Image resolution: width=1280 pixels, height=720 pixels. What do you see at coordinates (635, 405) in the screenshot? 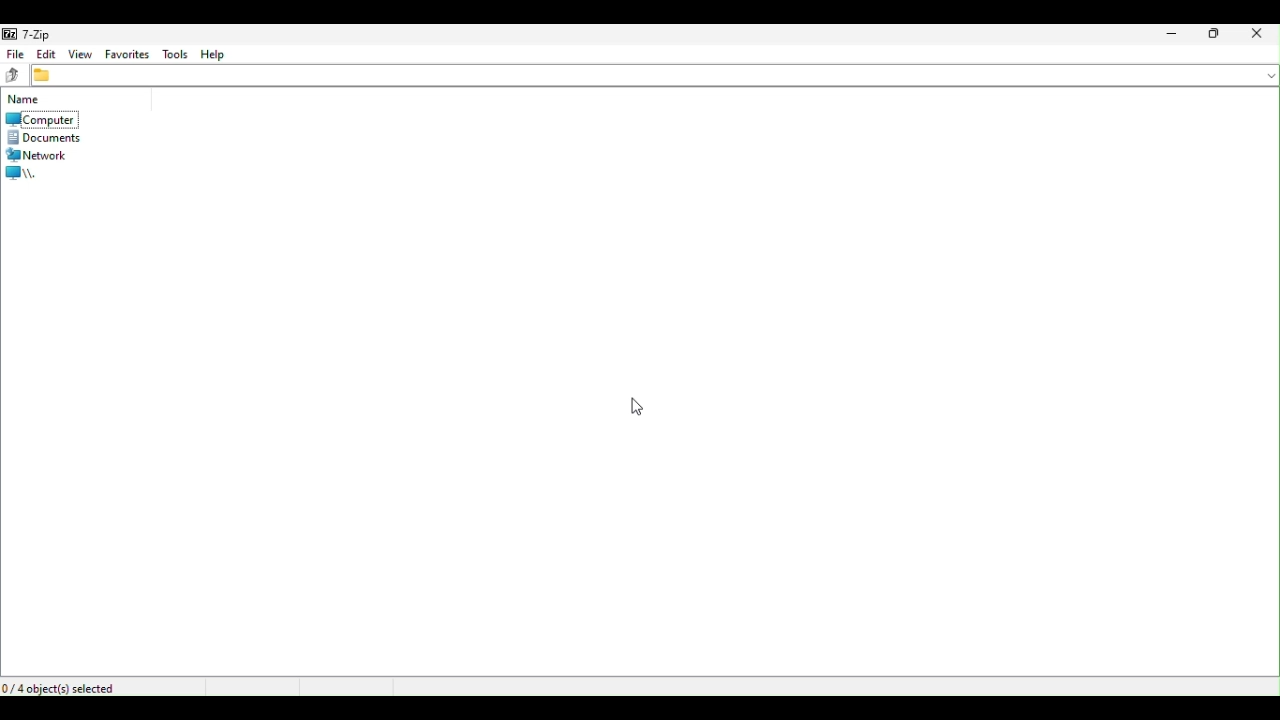
I see `cursor` at bounding box center [635, 405].